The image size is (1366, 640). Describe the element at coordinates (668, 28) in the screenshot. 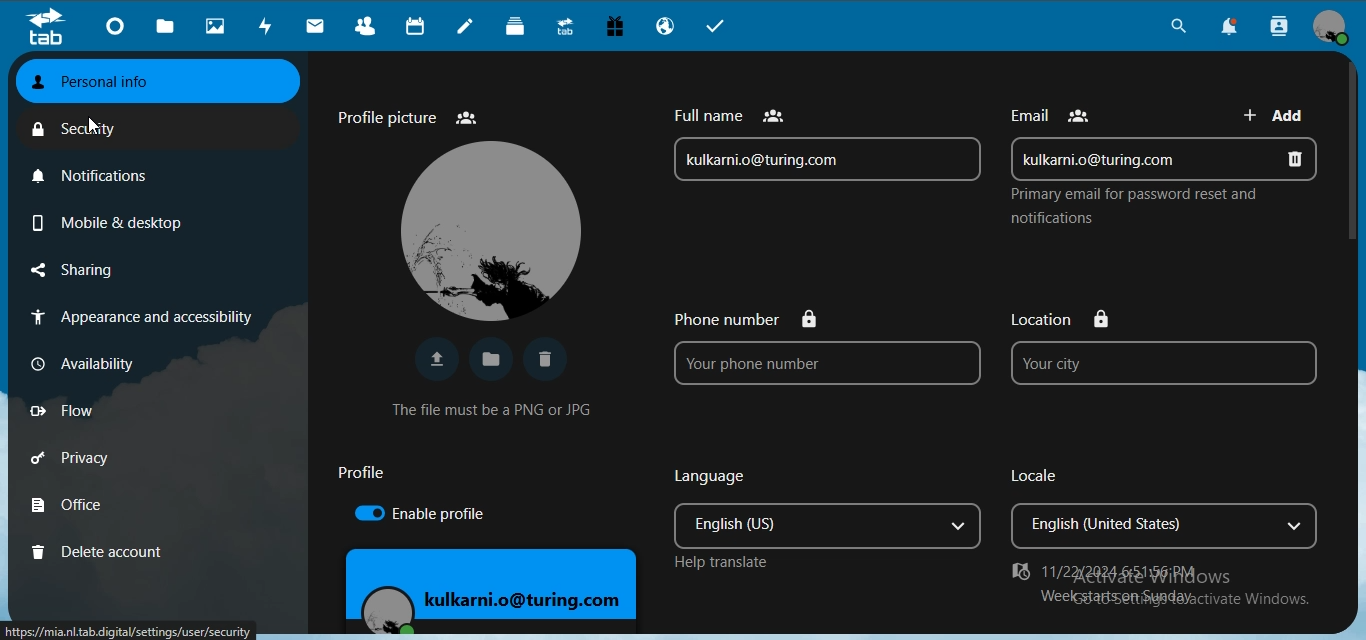

I see `email hosting` at that location.